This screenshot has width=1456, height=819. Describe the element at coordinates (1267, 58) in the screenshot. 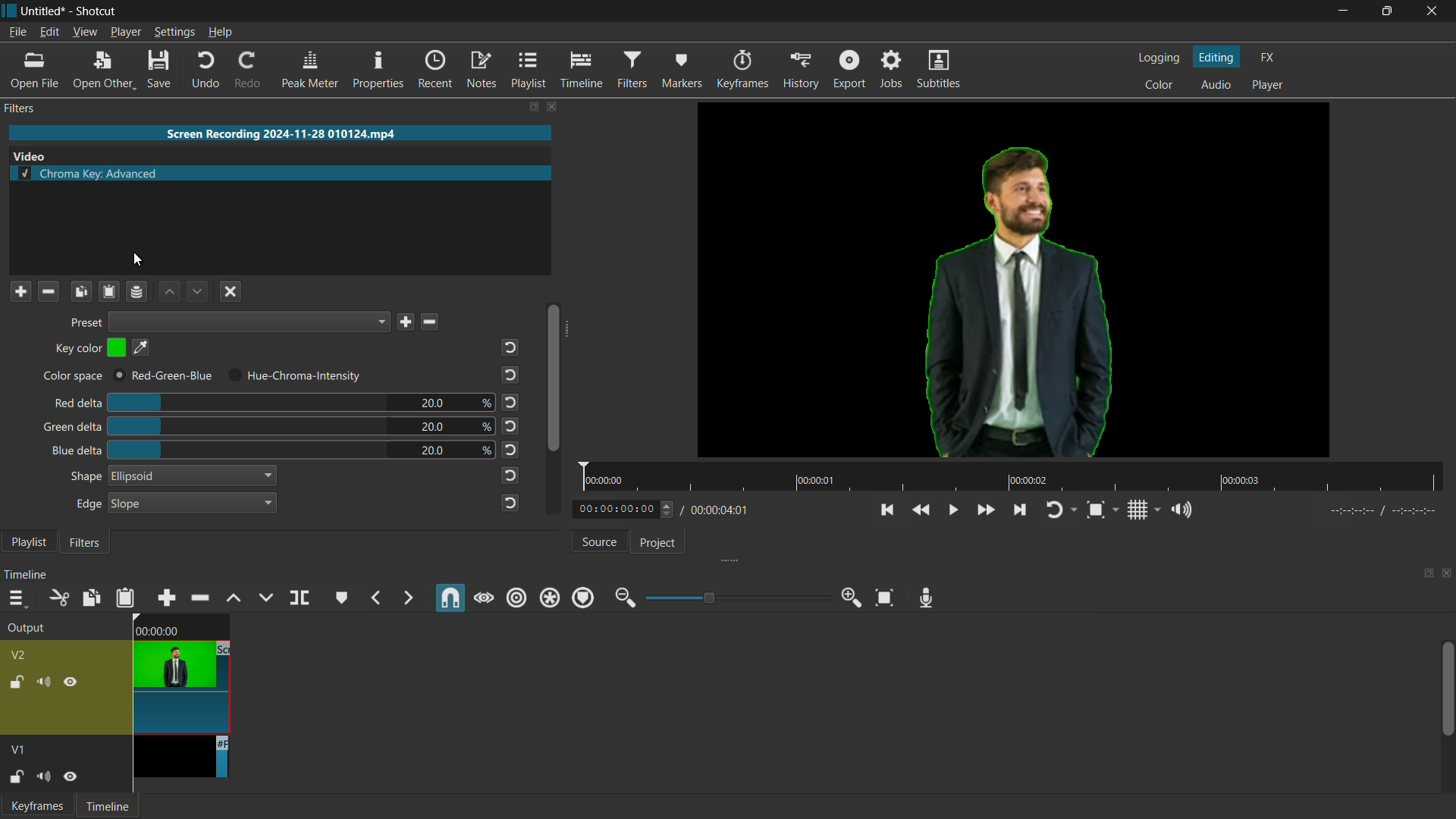

I see `fx` at that location.